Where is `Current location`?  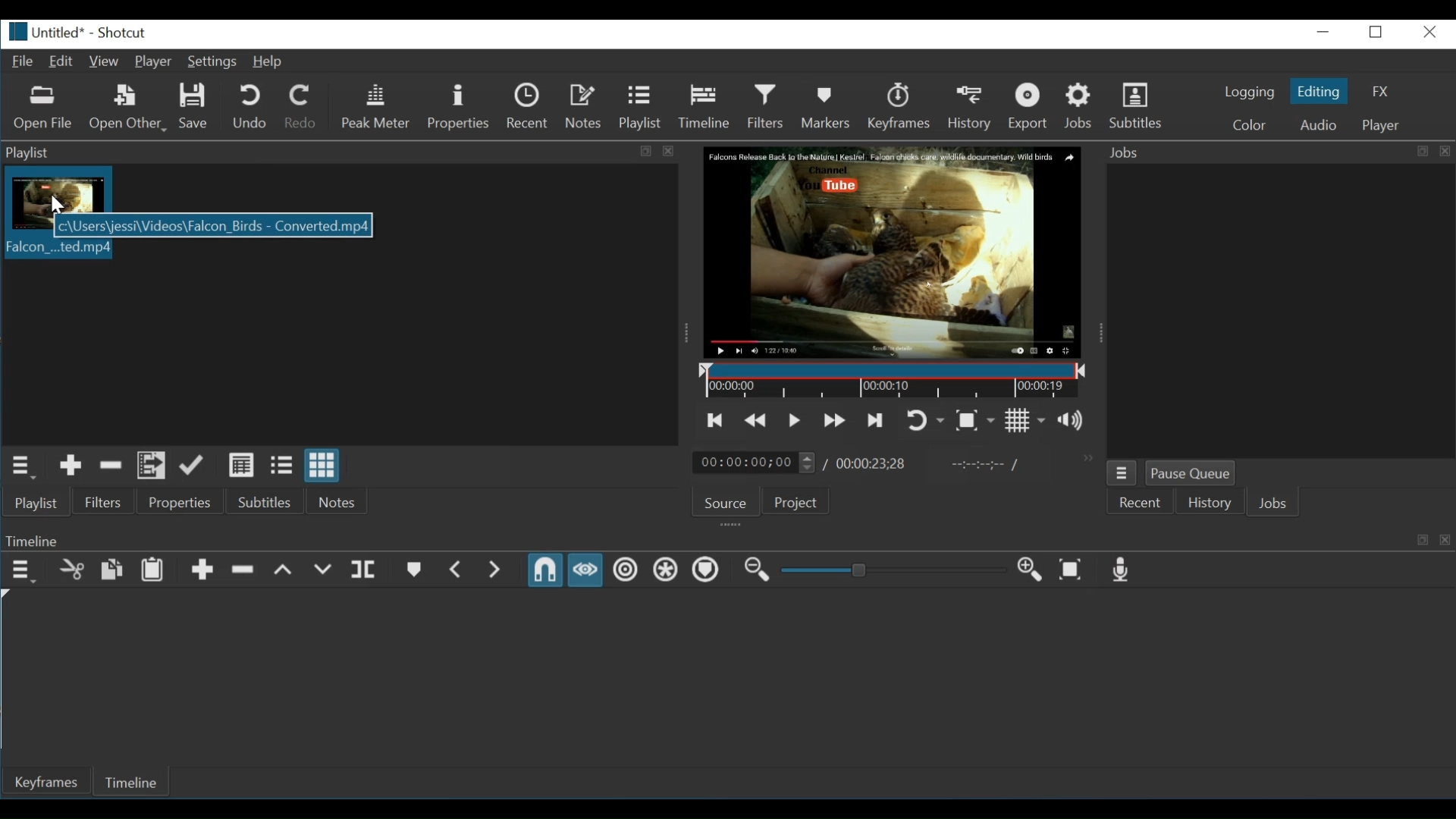 Current location is located at coordinates (756, 463).